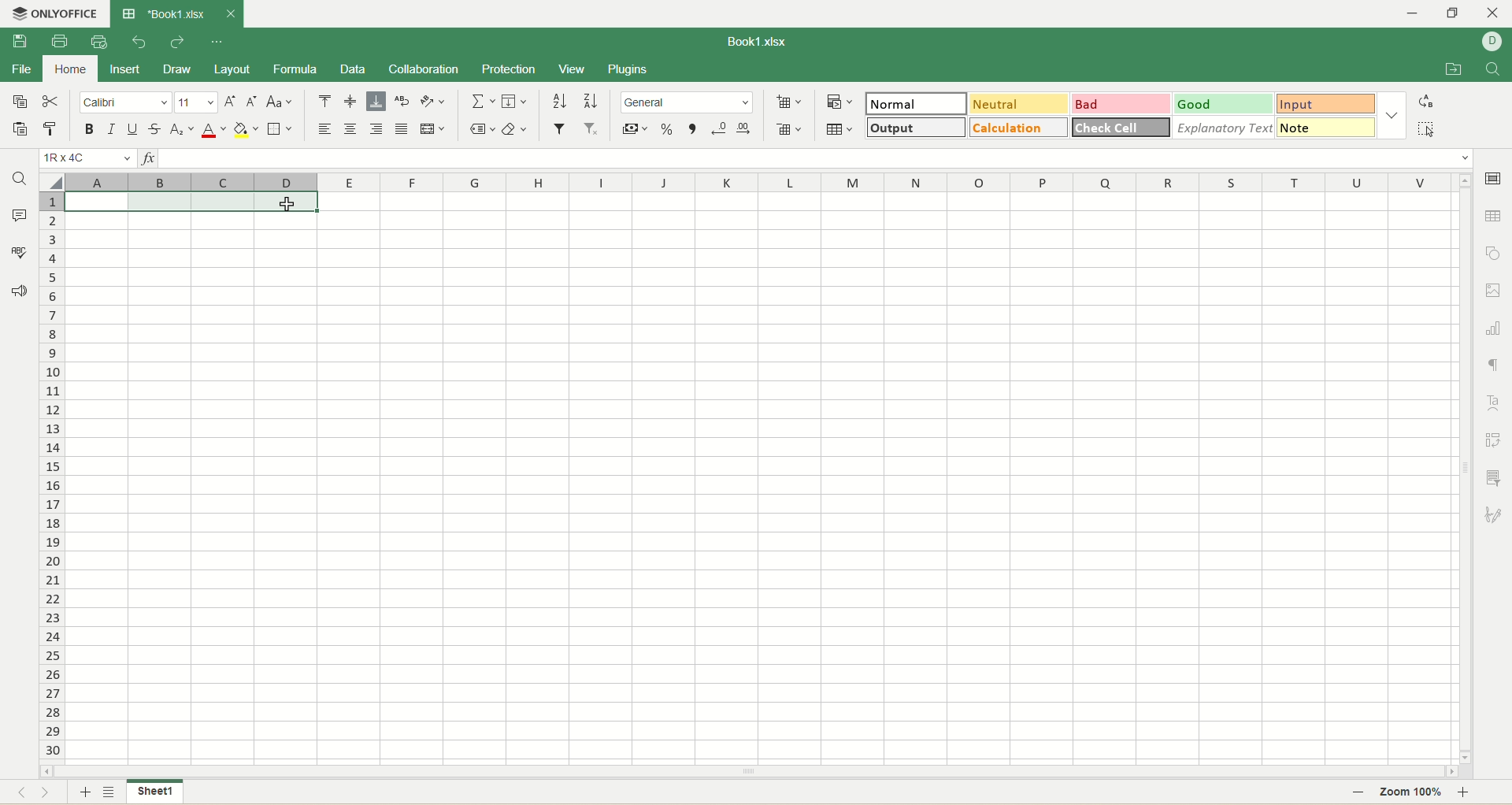 The width and height of the screenshot is (1512, 805). Describe the element at coordinates (245, 129) in the screenshot. I see `background color` at that location.